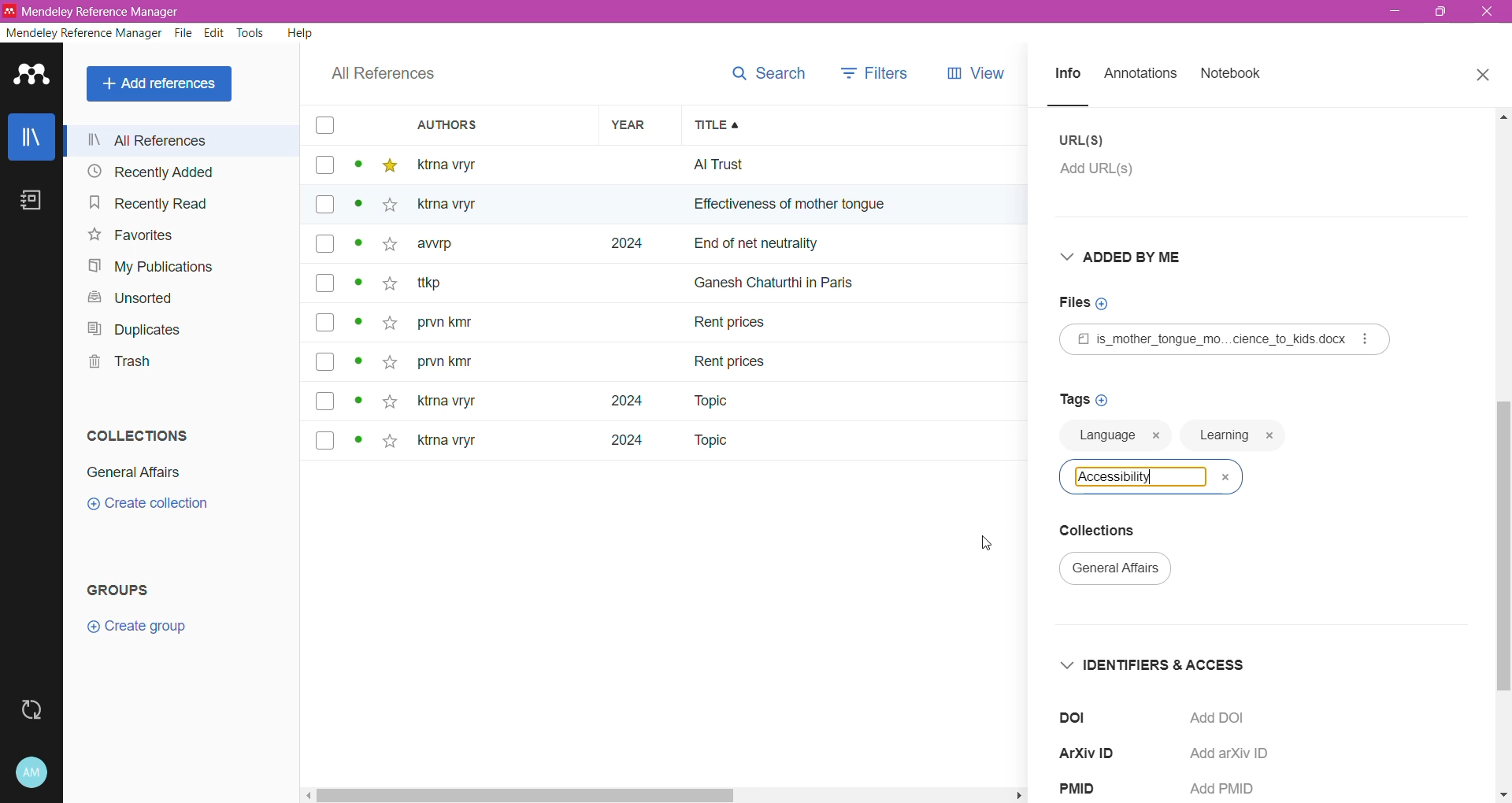 The image size is (1512, 803). What do you see at coordinates (1232, 74) in the screenshot?
I see `Notebook` at bounding box center [1232, 74].